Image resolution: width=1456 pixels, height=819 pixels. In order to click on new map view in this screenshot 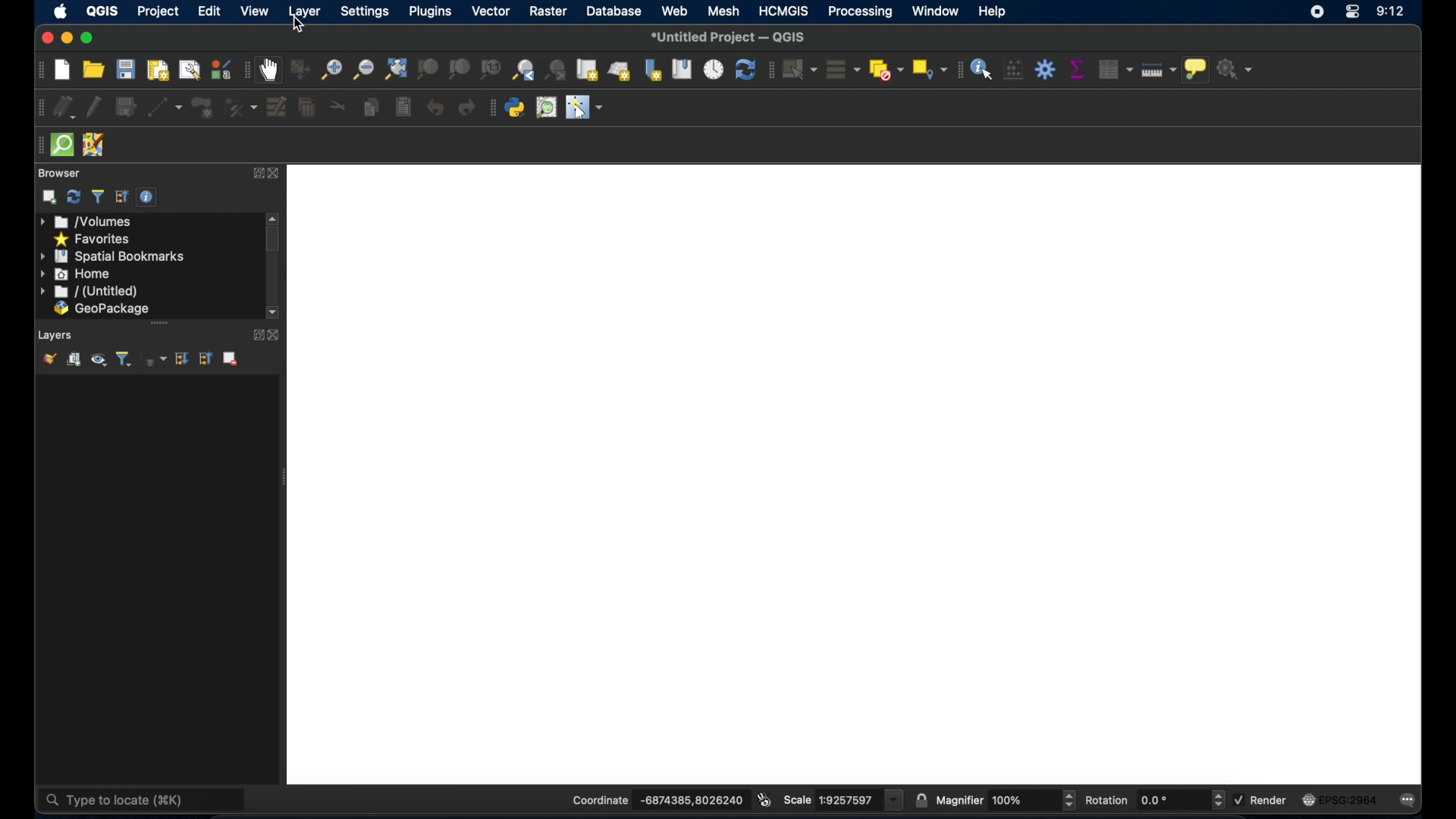, I will do `click(588, 69)`.